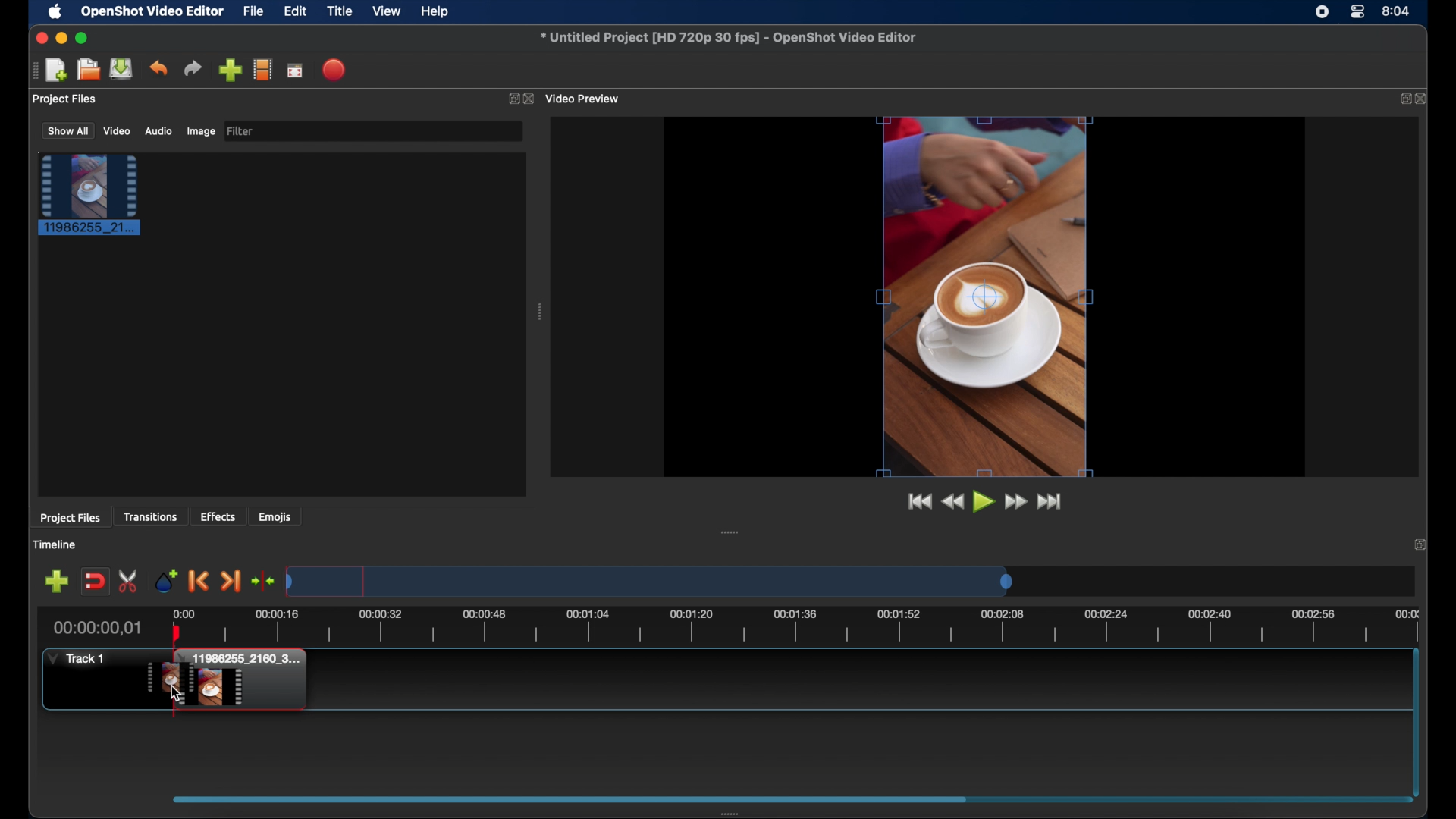 This screenshot has width=1456, height=819. I want to click on close, so click(41, 39).